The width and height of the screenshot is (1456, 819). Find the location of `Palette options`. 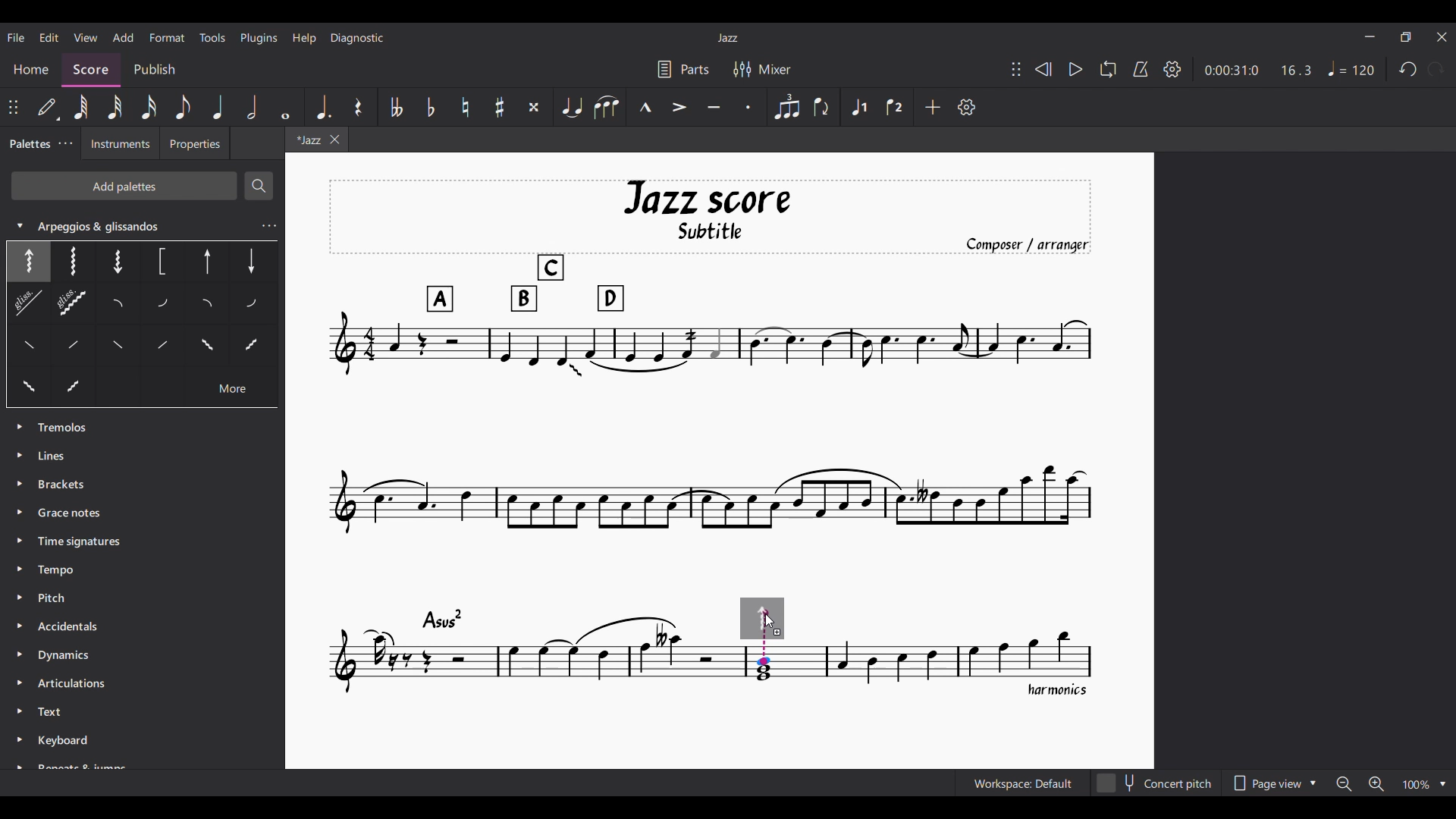

Palette options is located at coordinates (67, 424).